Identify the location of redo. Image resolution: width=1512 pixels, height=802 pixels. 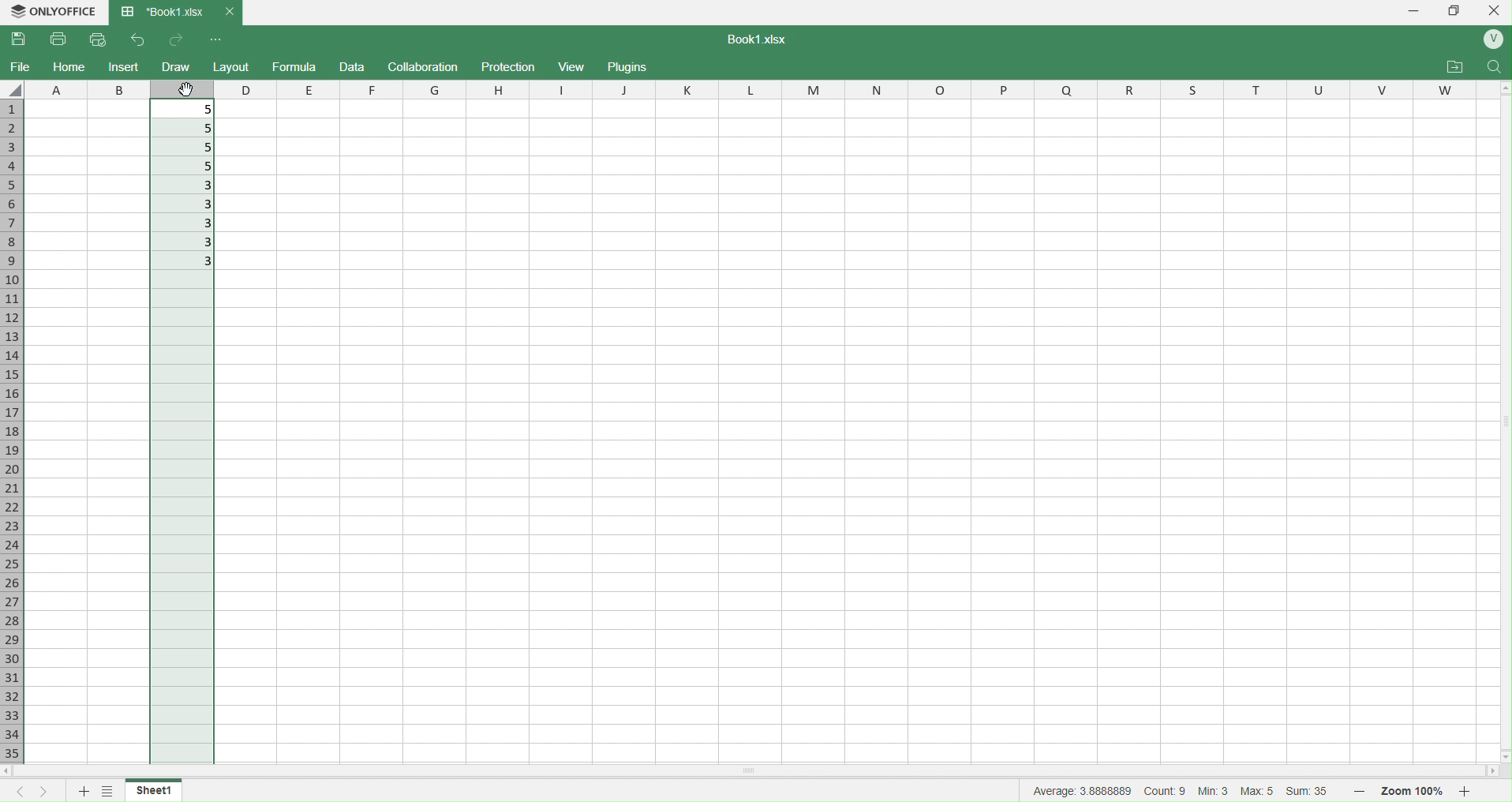
(174, 41).